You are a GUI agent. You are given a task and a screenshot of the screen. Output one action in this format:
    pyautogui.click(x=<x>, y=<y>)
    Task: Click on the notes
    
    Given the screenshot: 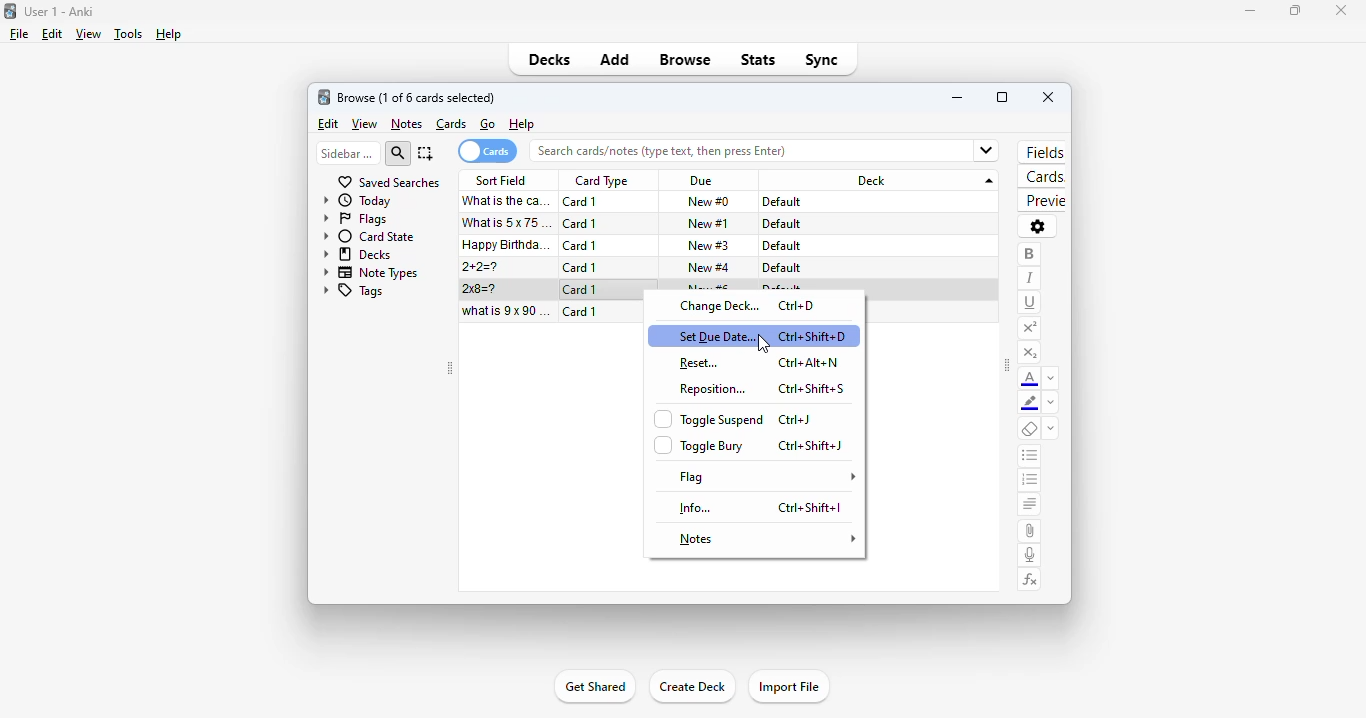 What is the action you would take?
    pyautogui.click(x=406, y=124)
    